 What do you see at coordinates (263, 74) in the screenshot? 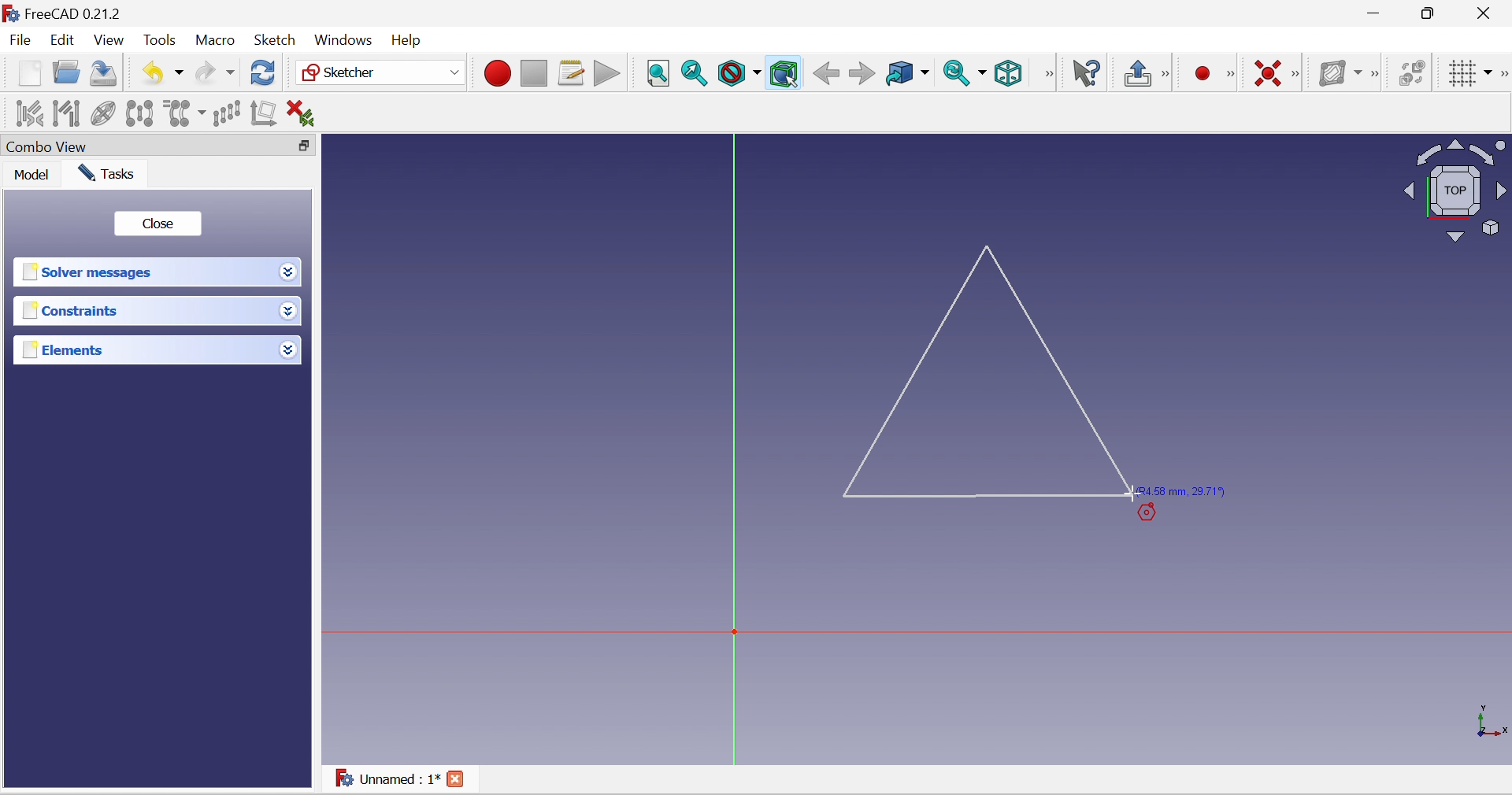
I see `Refresh` at bounding box center [263, 74].